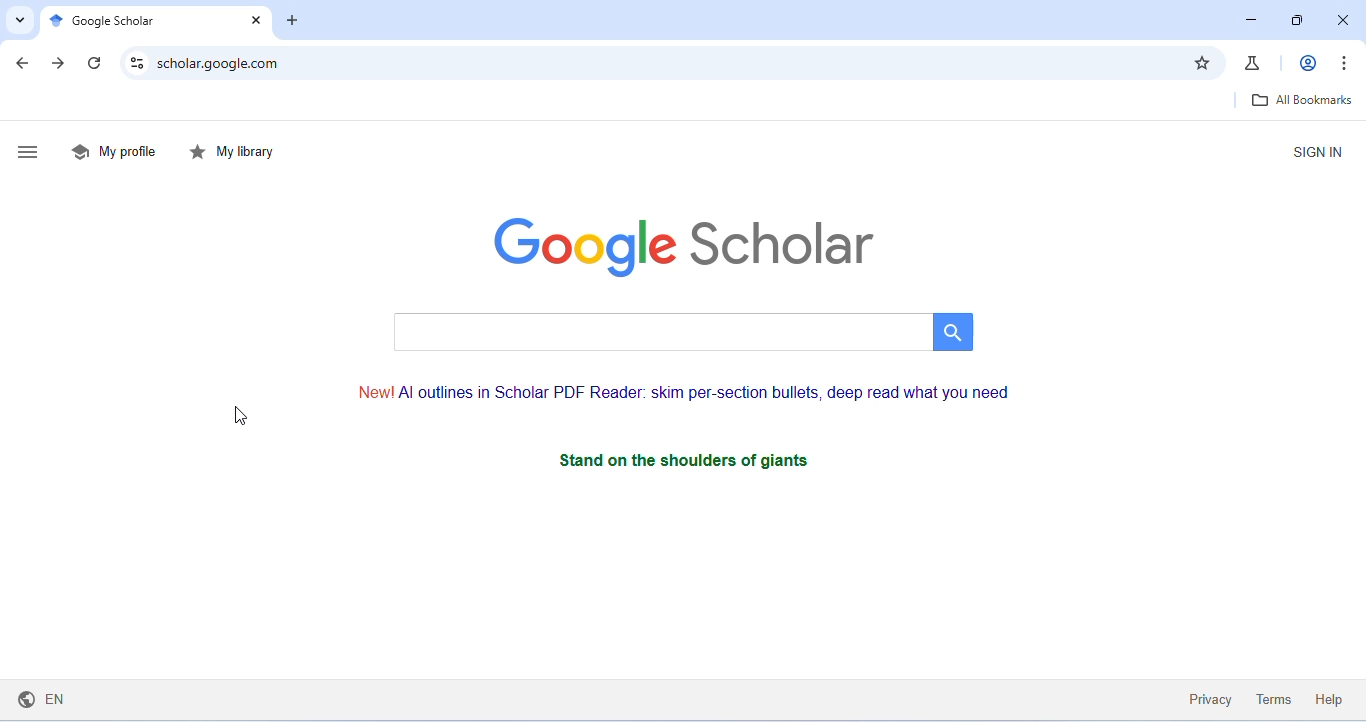 Image resolution: width=1366 pixels, height=722 pixels. I want to click on close, so click(1342, 22).